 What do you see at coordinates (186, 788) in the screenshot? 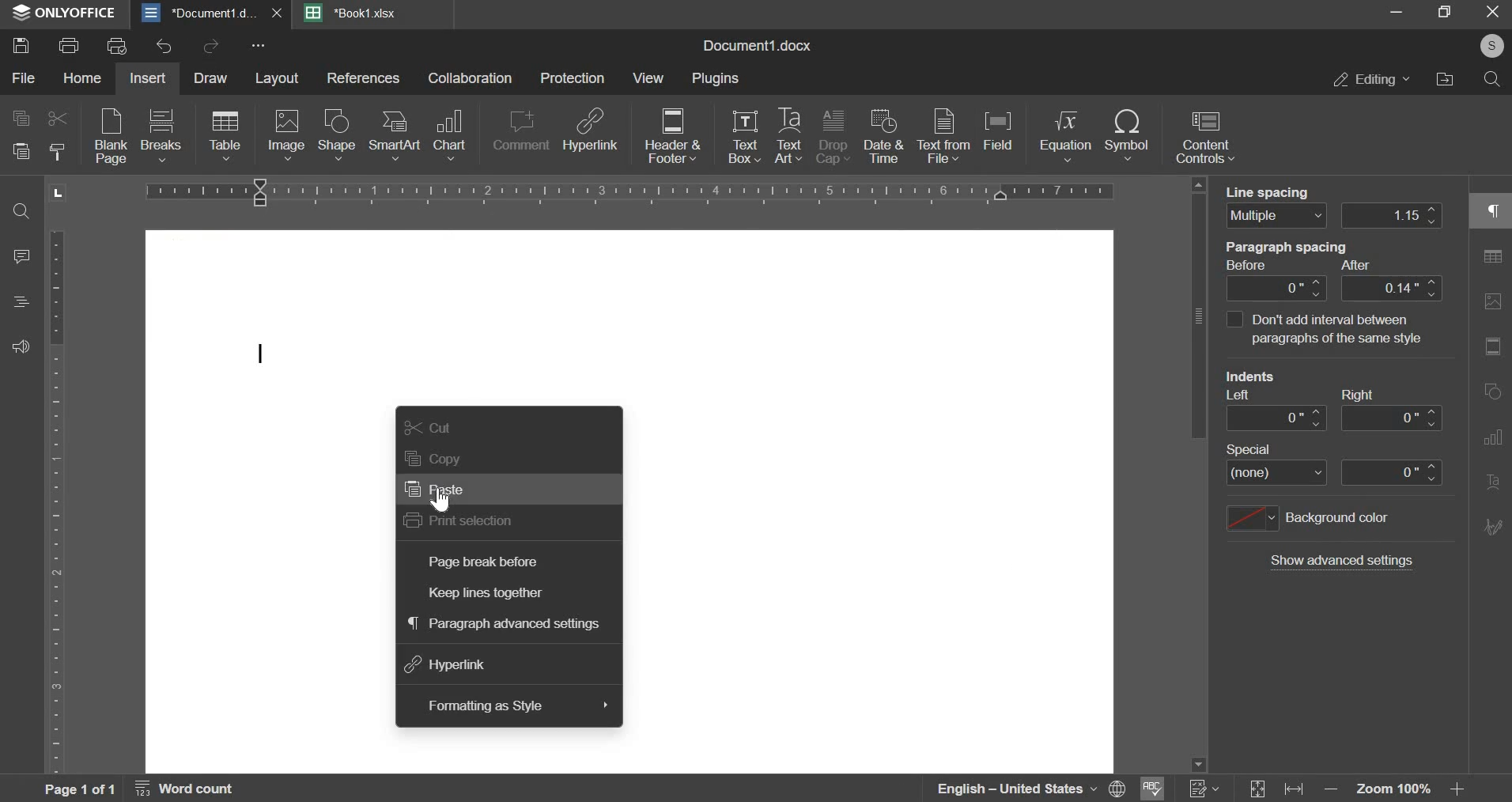
I see `word count` at bounding box center [186, 788].